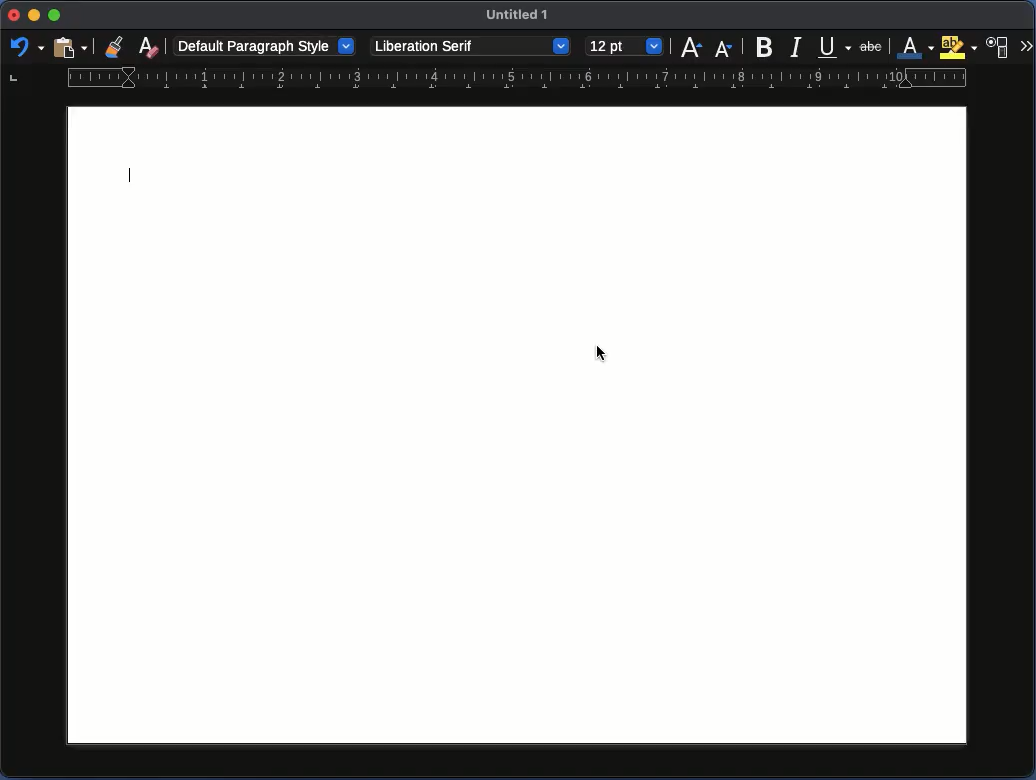  Describe the element at coordinates (70, 46) in the screenshot. I see `Clipboard` at that location.